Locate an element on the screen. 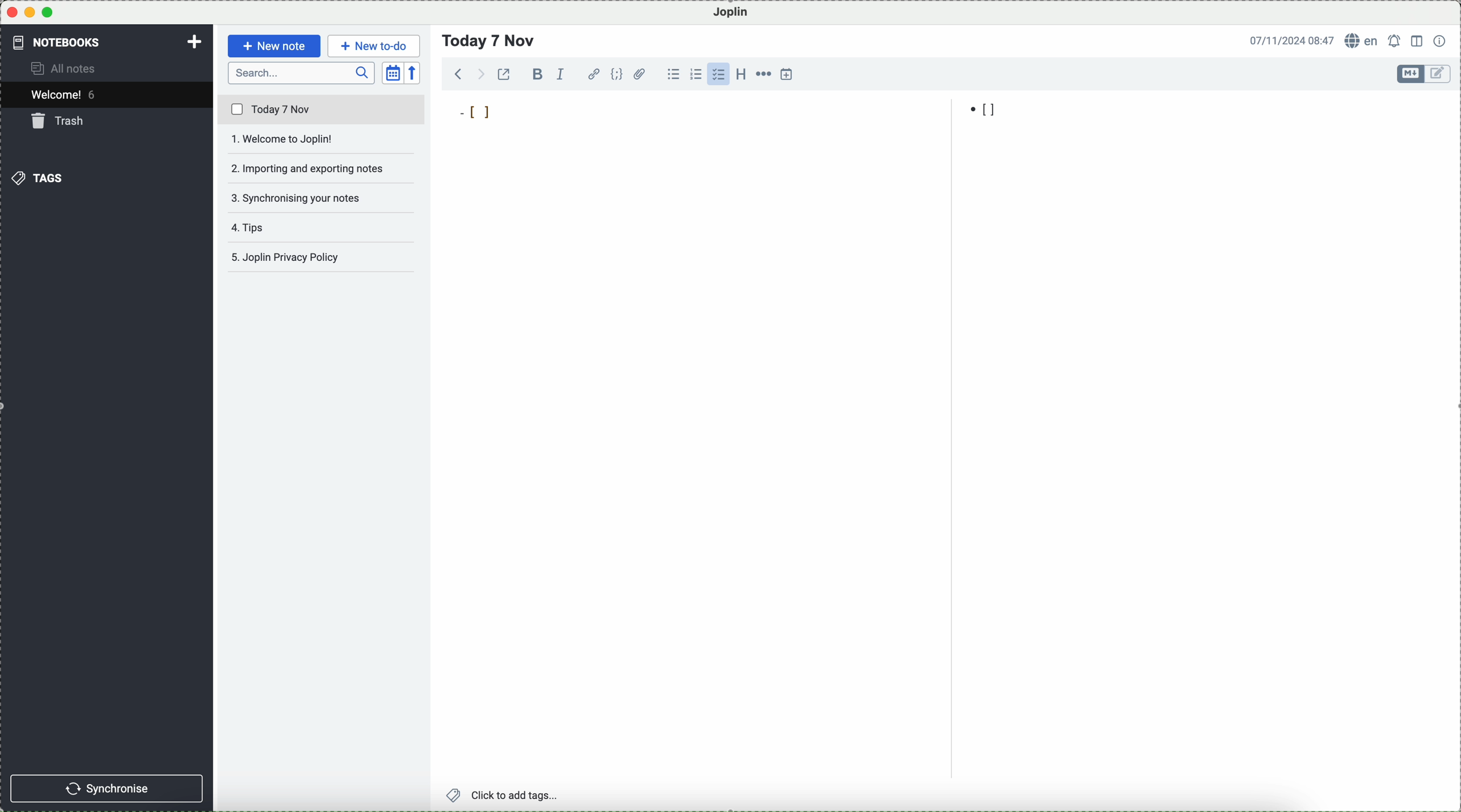 This screenshot has height=812, width=1461. toggle editors is located at coordinates (1439, 74).